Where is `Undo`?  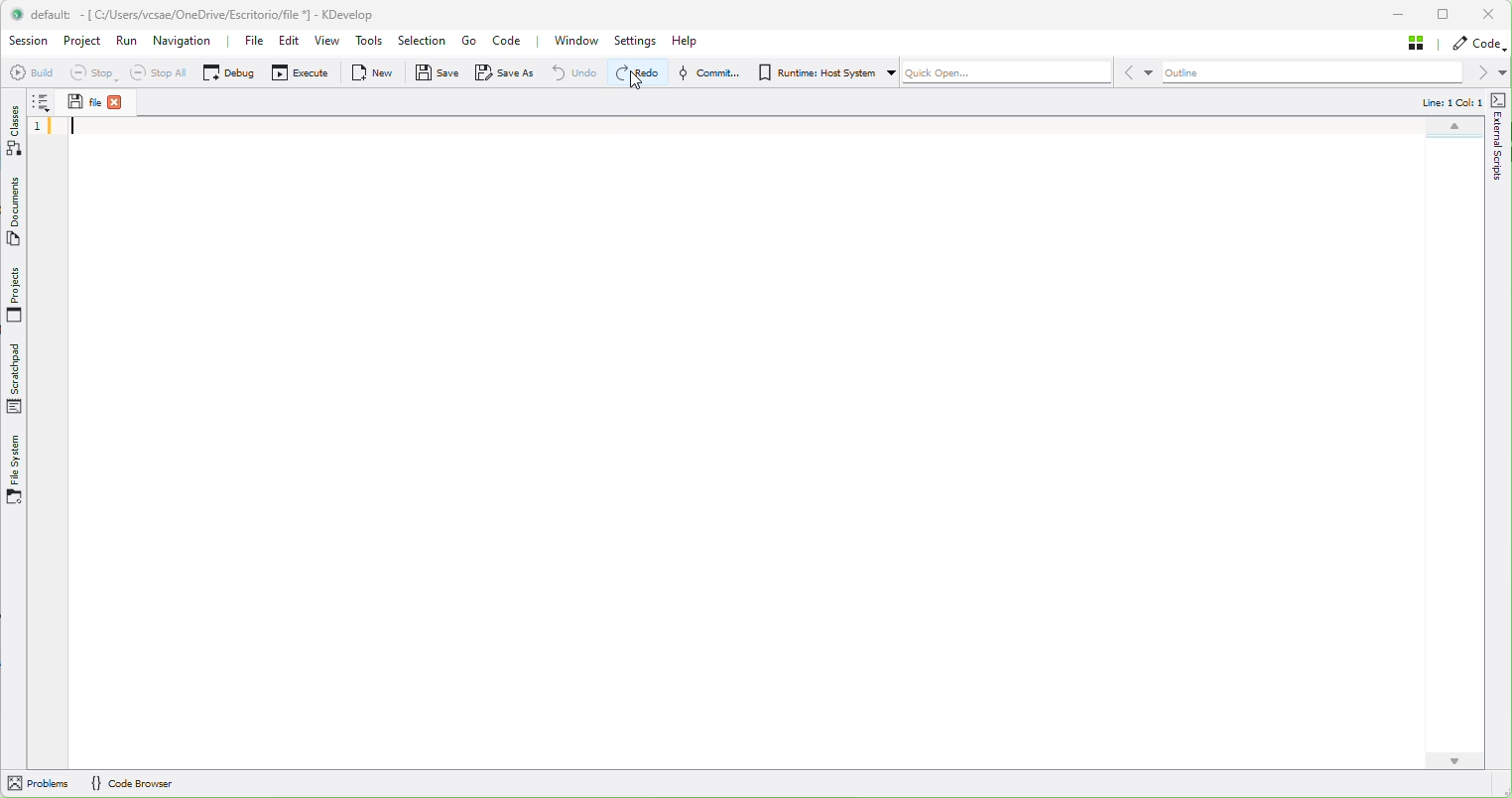
Undo is located at coordinates (579, 71).